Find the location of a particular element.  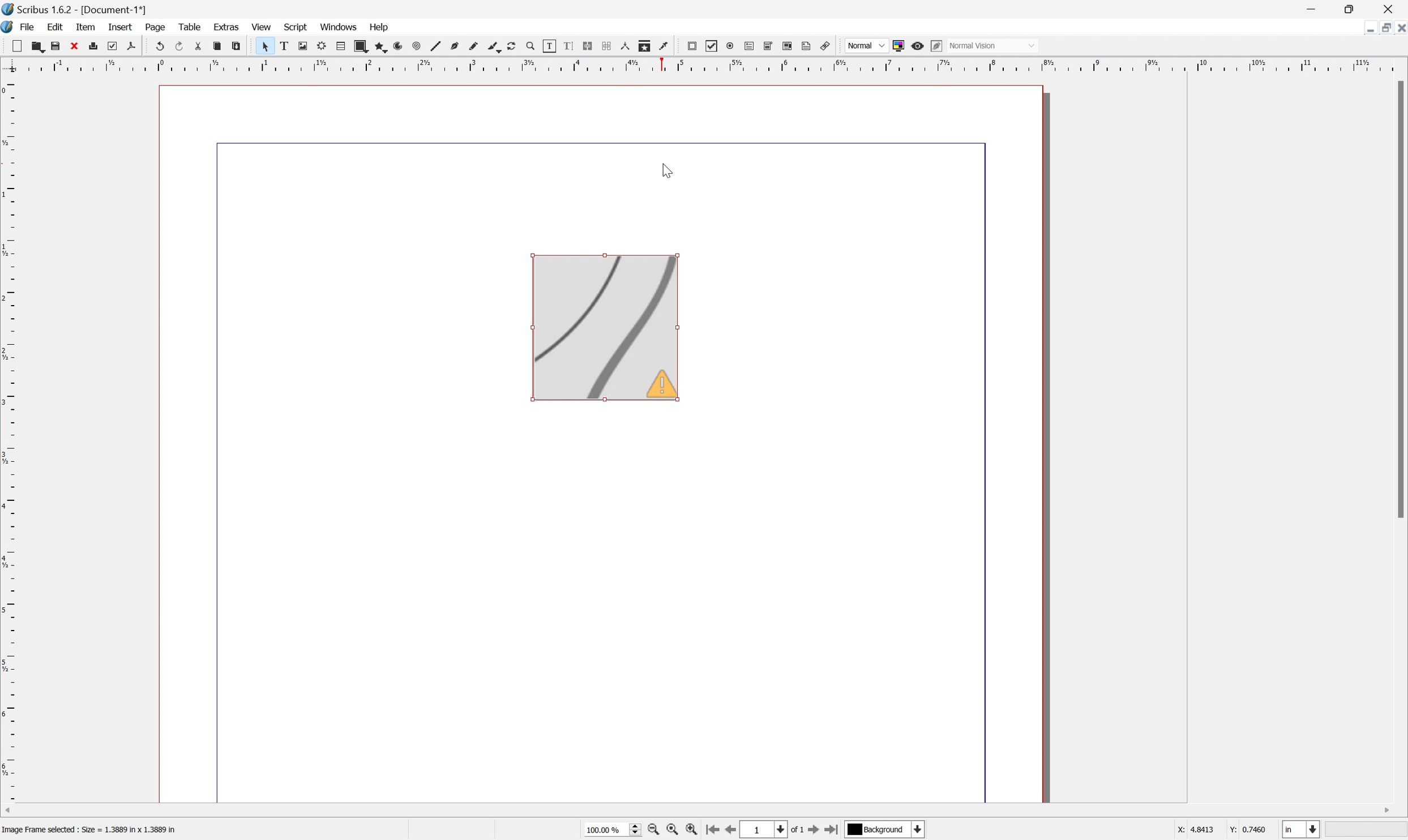

Script is located at coordinates (298, 25).